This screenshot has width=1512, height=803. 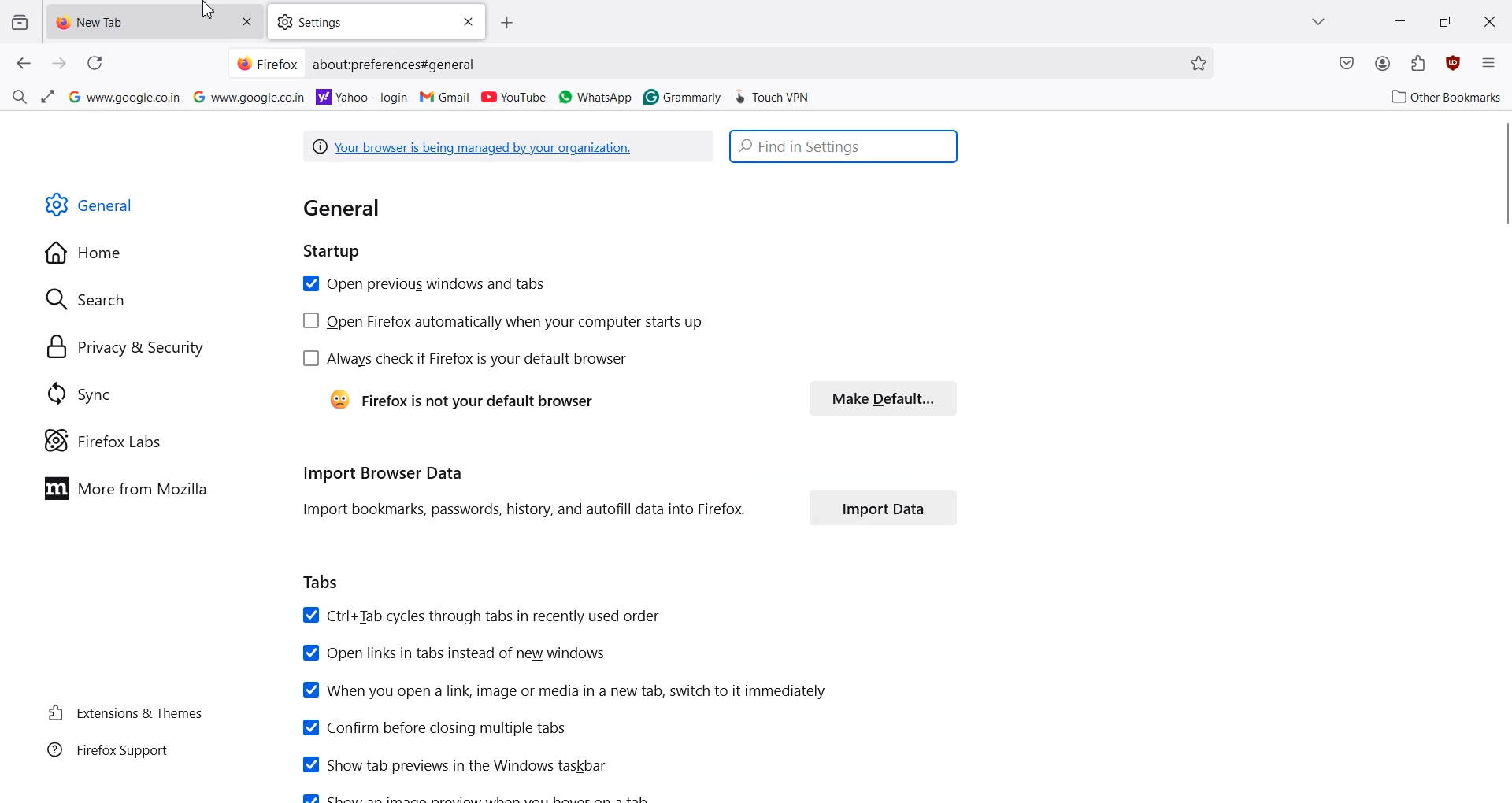 What do you see at coordinates (209, 10) in the screenshot?
I see `Cursor` at bounding box center [209, 10].